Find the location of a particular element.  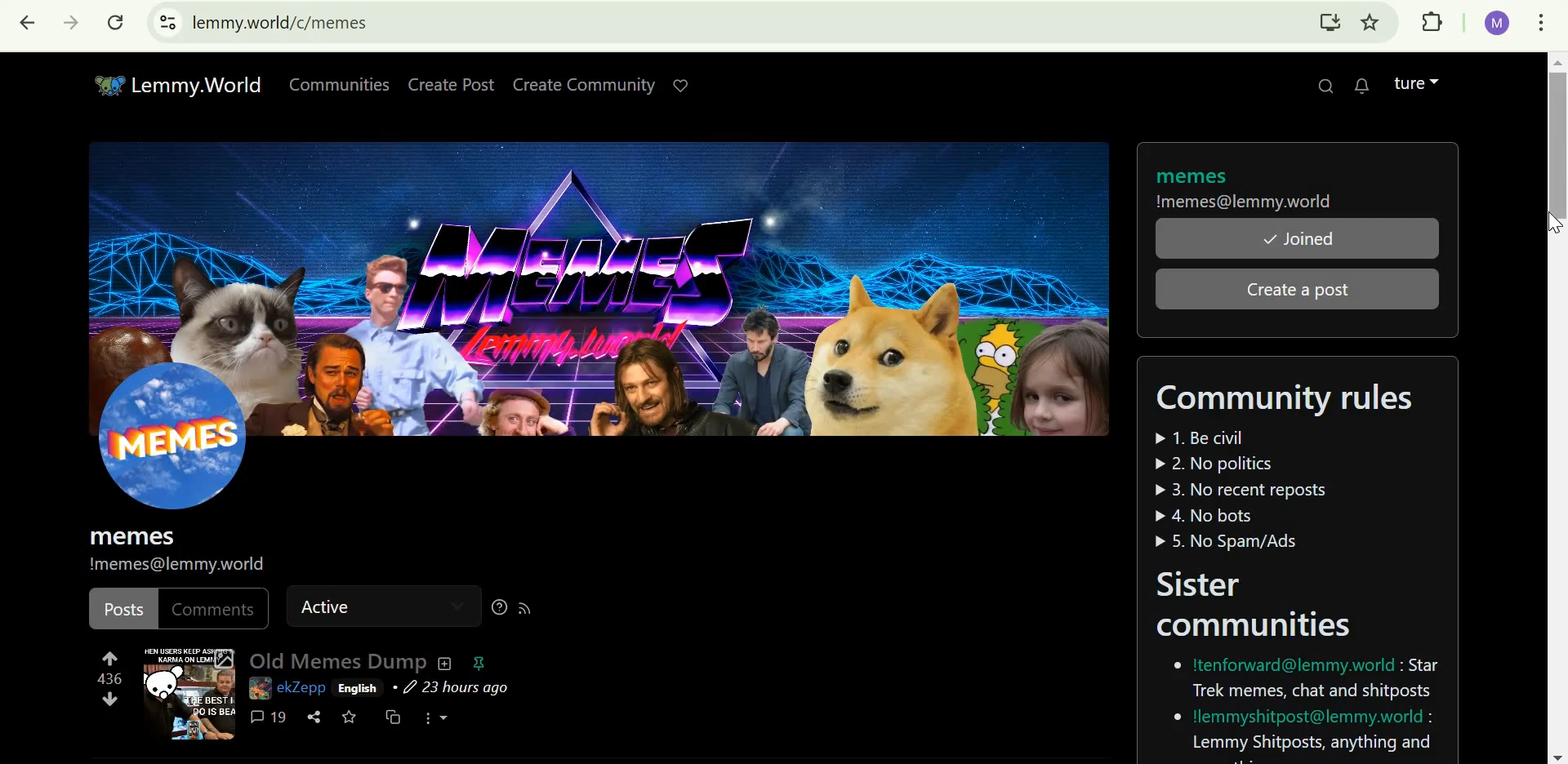

search is located at coordinates (1325, 86).